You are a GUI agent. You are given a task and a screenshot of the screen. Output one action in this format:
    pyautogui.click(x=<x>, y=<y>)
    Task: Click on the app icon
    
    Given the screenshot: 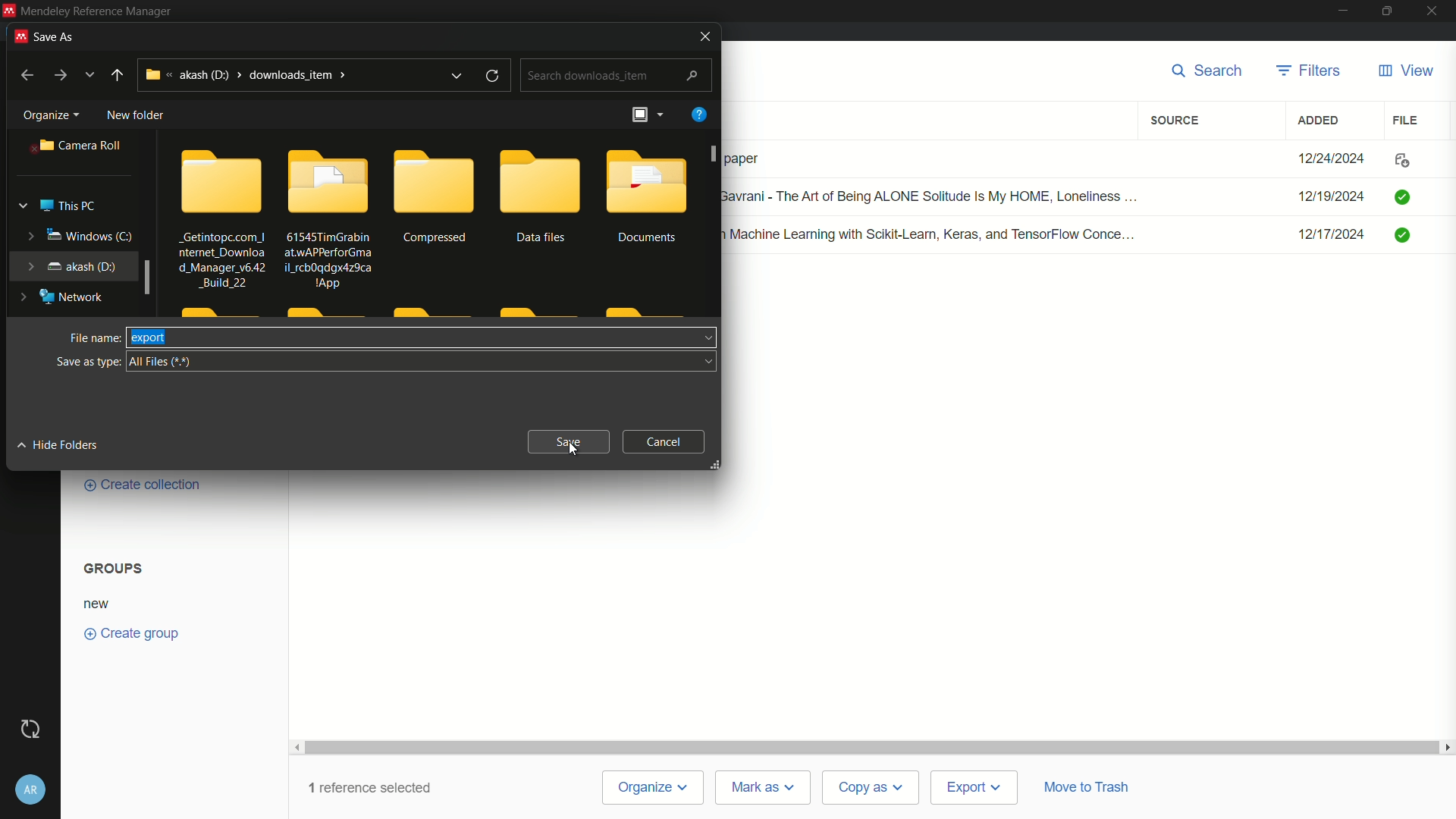 What is the action you would take?
    pyautogui.click(x=18, y=37)
    